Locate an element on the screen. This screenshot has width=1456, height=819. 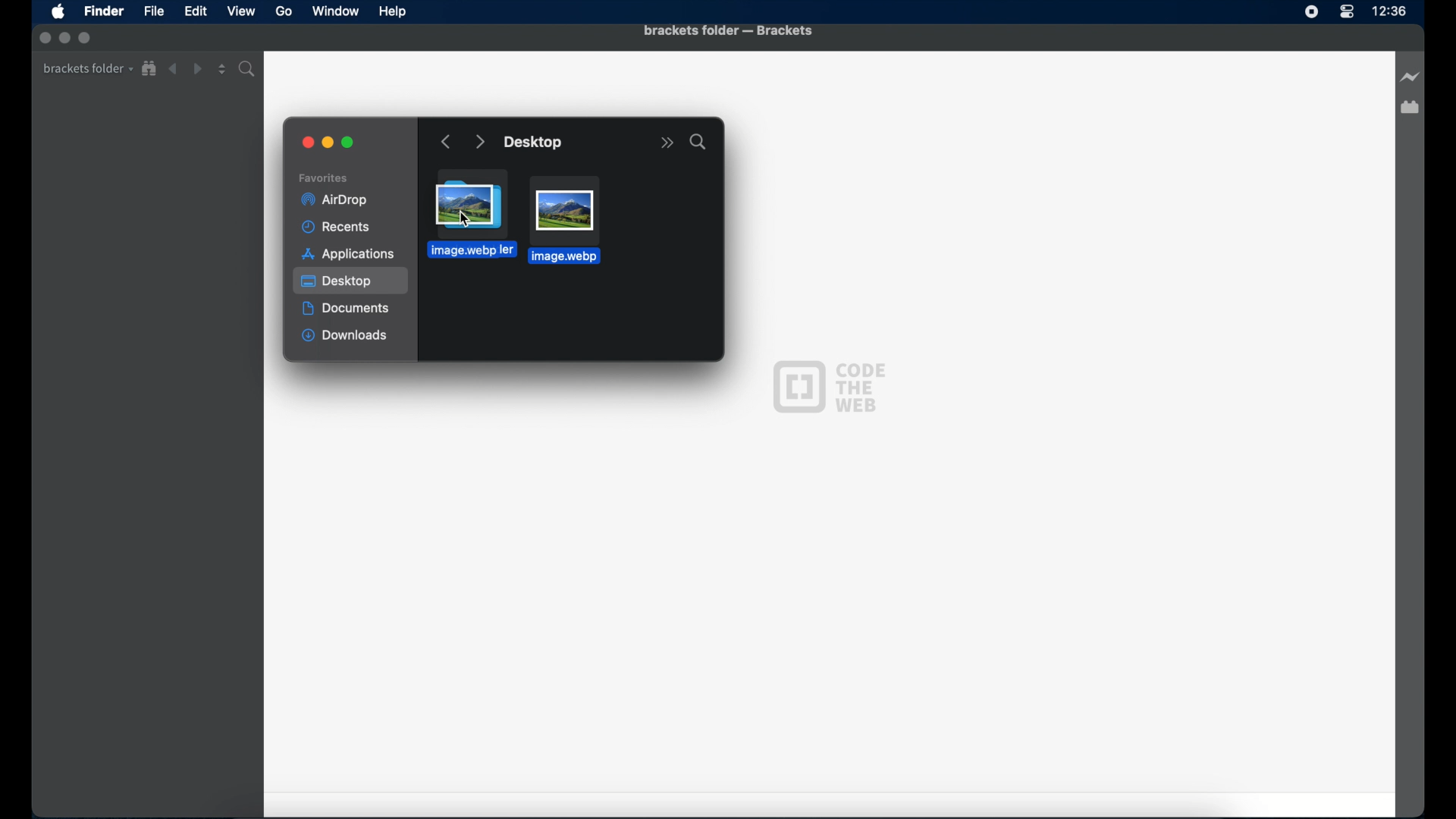
more options is located at coordinates (667, 143).